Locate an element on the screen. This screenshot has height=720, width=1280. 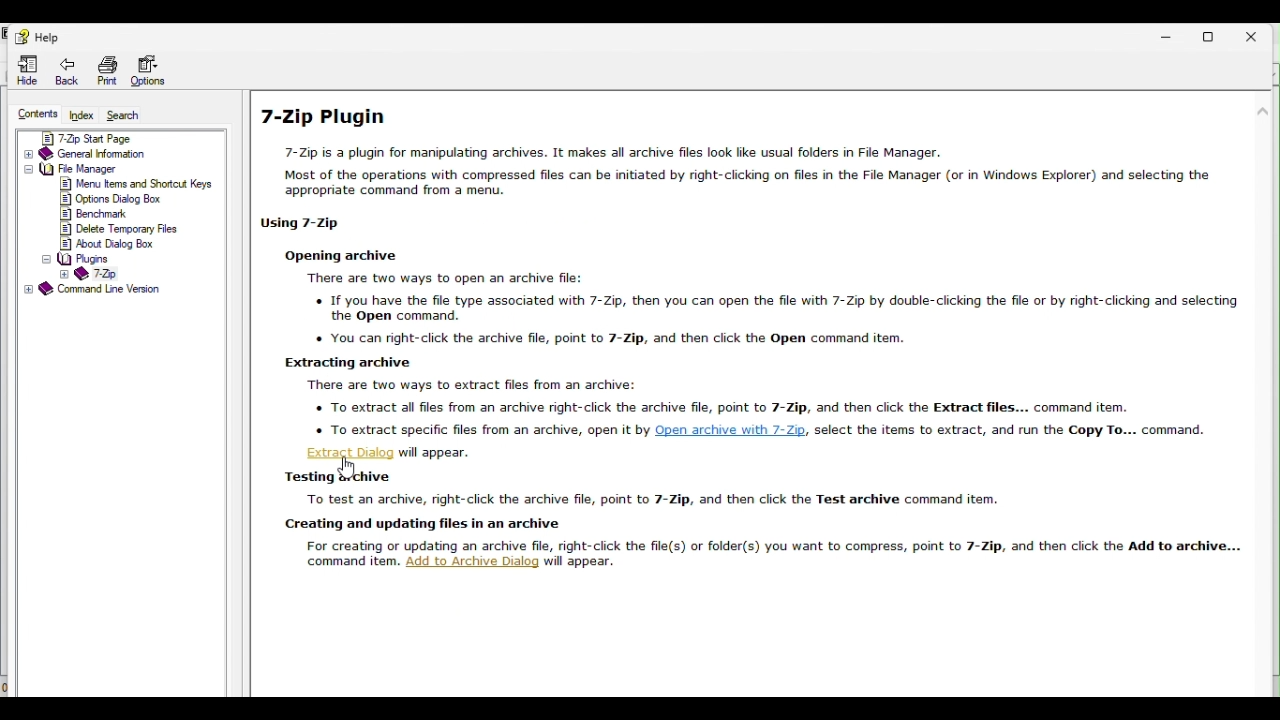
text is located at coordinates (768, 545).